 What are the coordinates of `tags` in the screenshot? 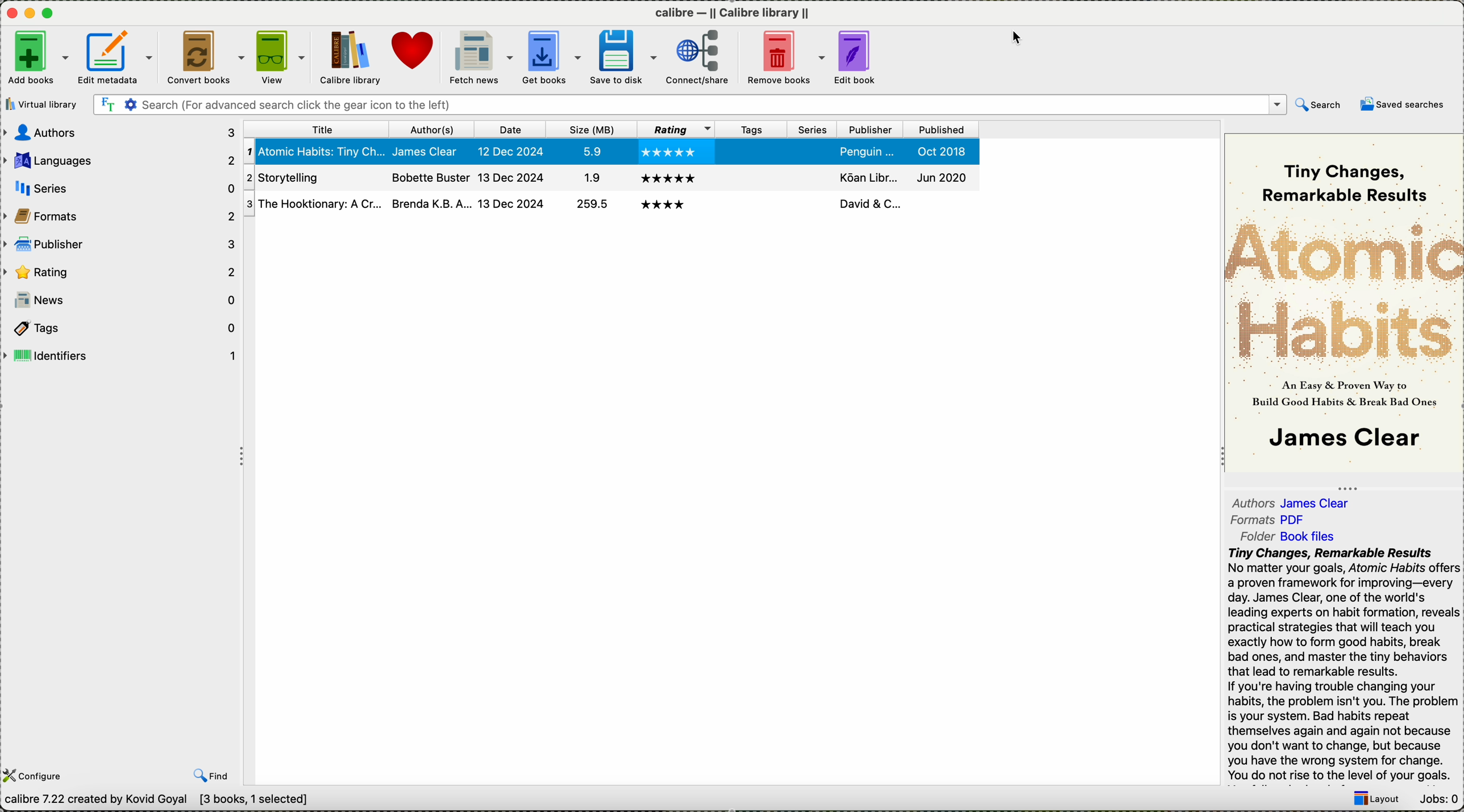 It's located at (754, 150).